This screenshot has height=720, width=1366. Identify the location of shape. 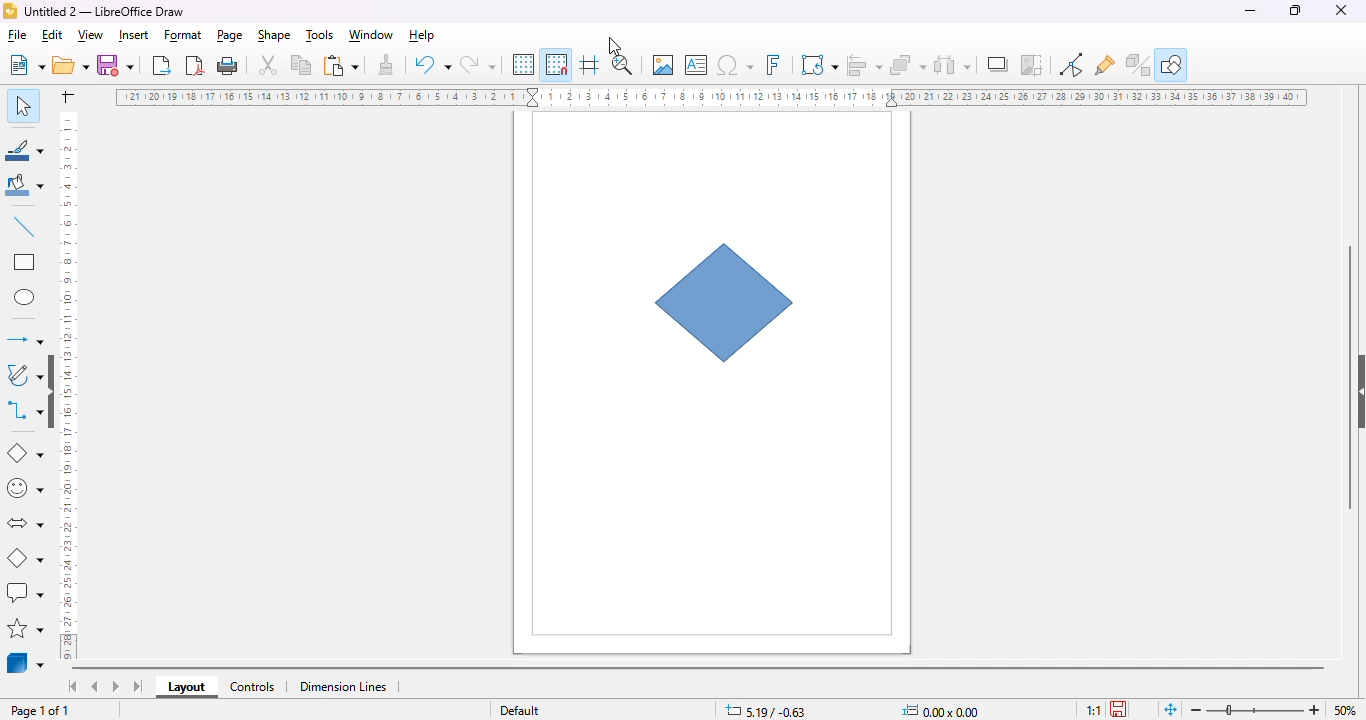
(275, 36).